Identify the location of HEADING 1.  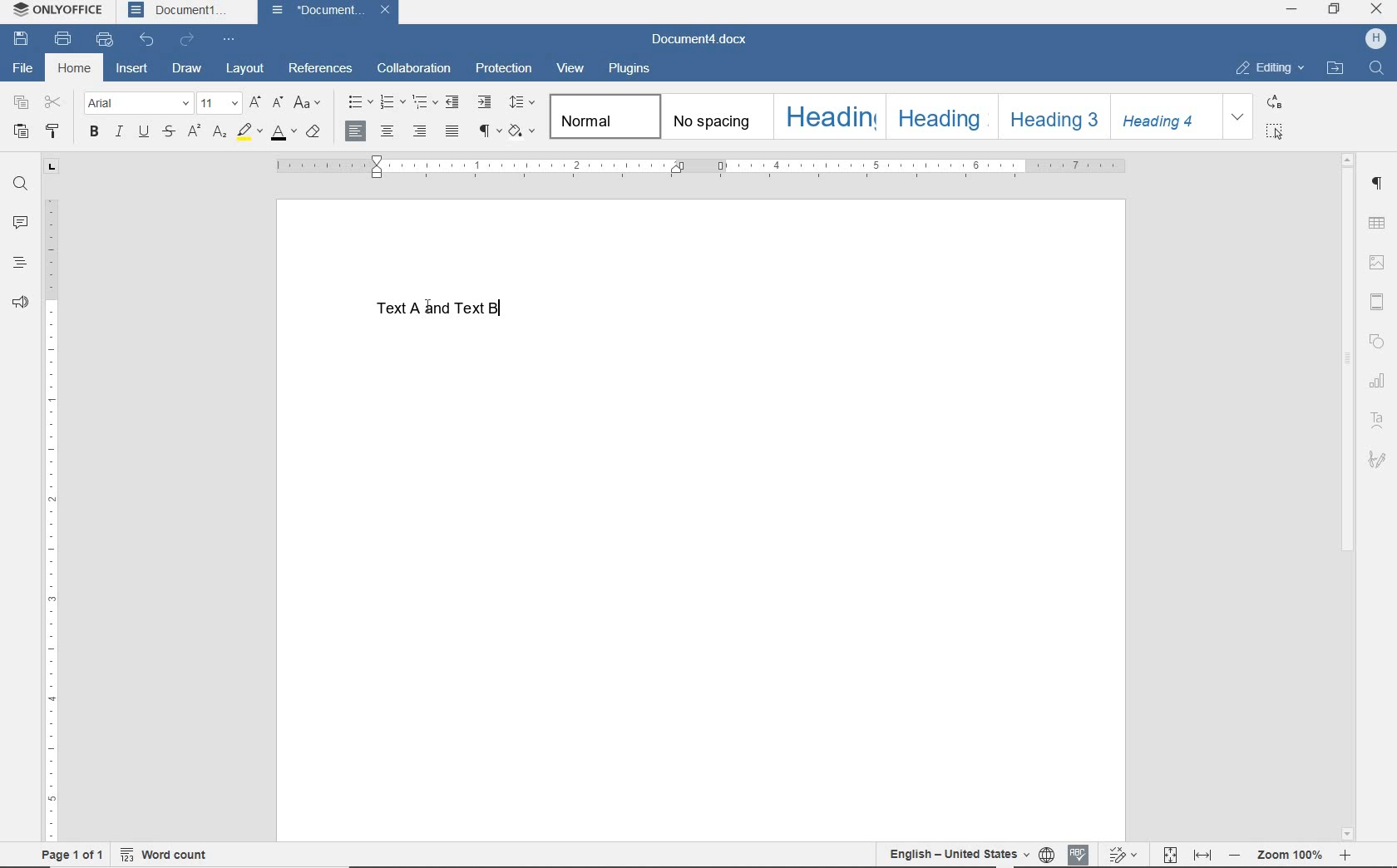
(828, 116).